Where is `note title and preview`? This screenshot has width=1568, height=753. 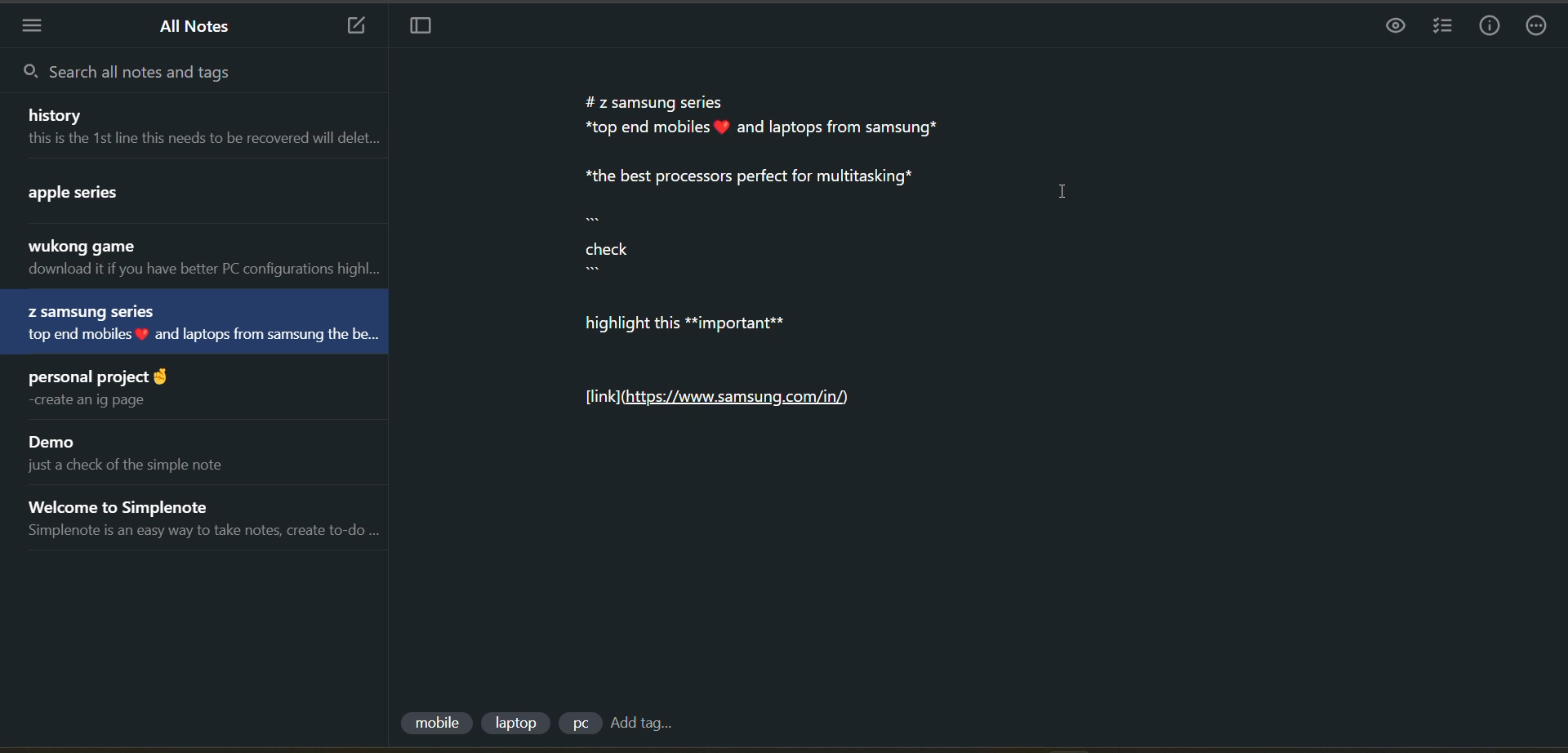
note title and preview is located at coordinates (187, 321).